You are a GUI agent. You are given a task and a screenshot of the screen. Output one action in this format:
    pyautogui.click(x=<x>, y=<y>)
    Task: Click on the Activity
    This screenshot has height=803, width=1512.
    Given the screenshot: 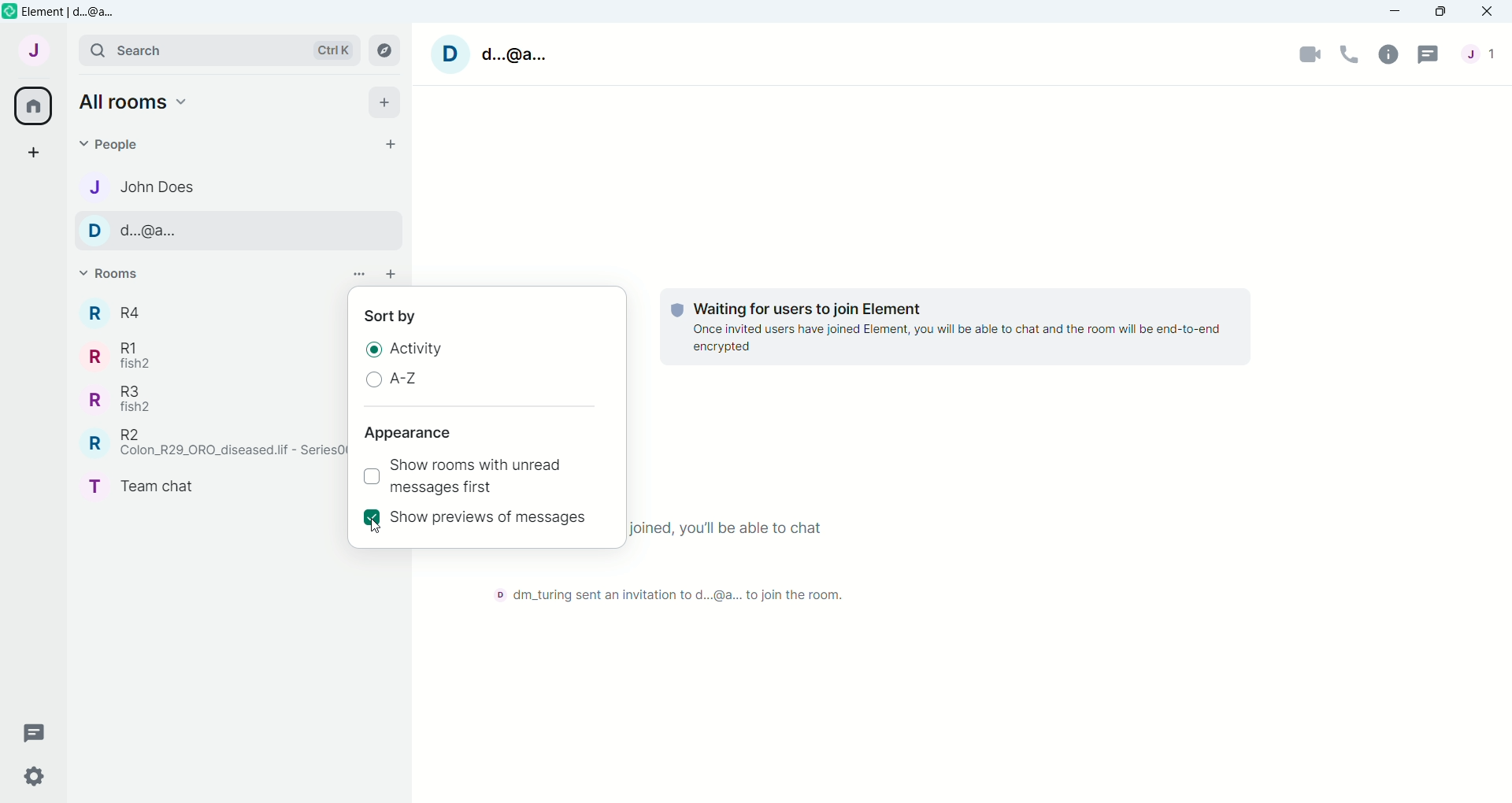 What is the action you would take?
    pyautogui.click(x=422, y=350)
    